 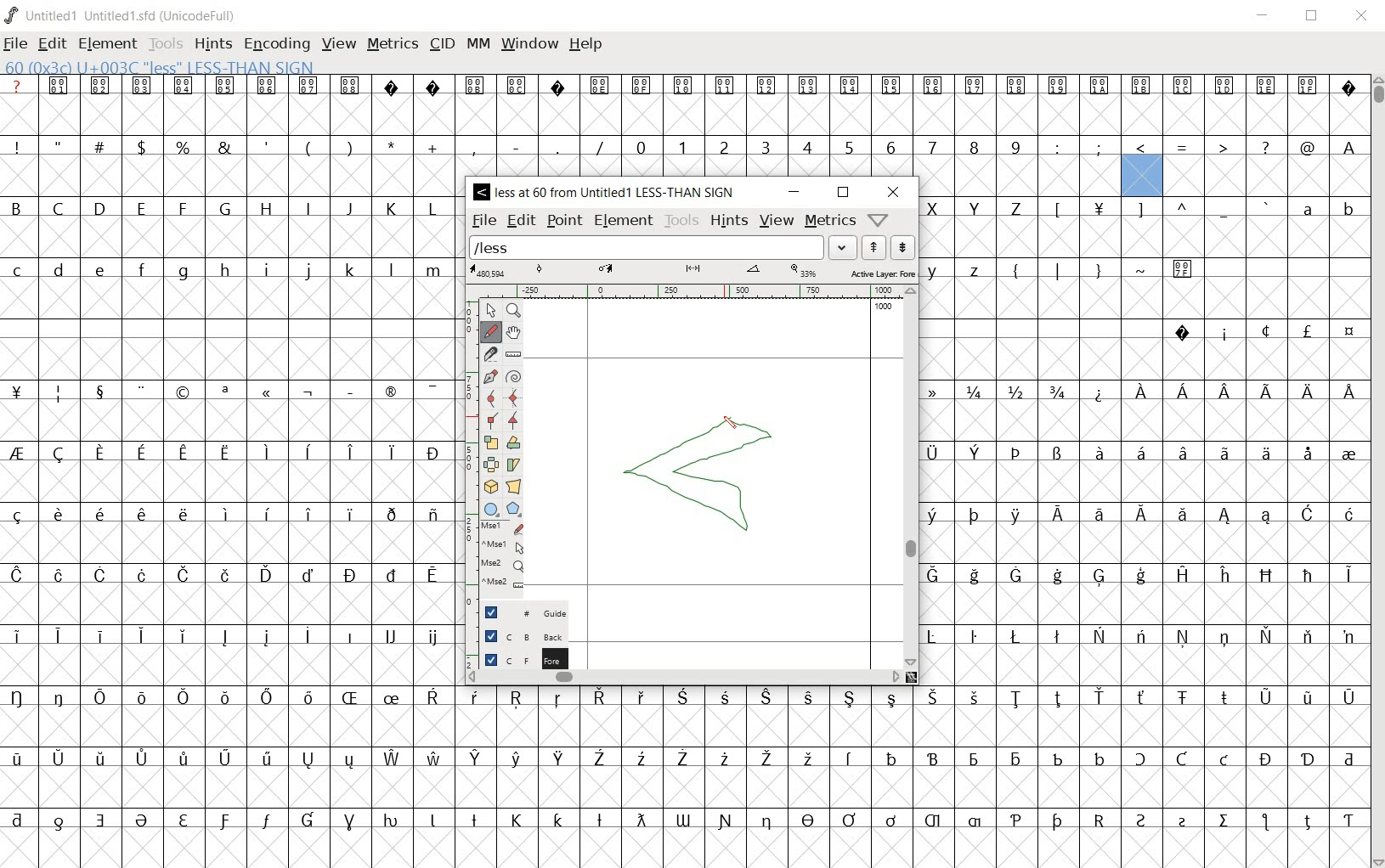 What do you see at coordinates (893, 192) in the screenshot?
I see `close` at bounding box center [893, 192].